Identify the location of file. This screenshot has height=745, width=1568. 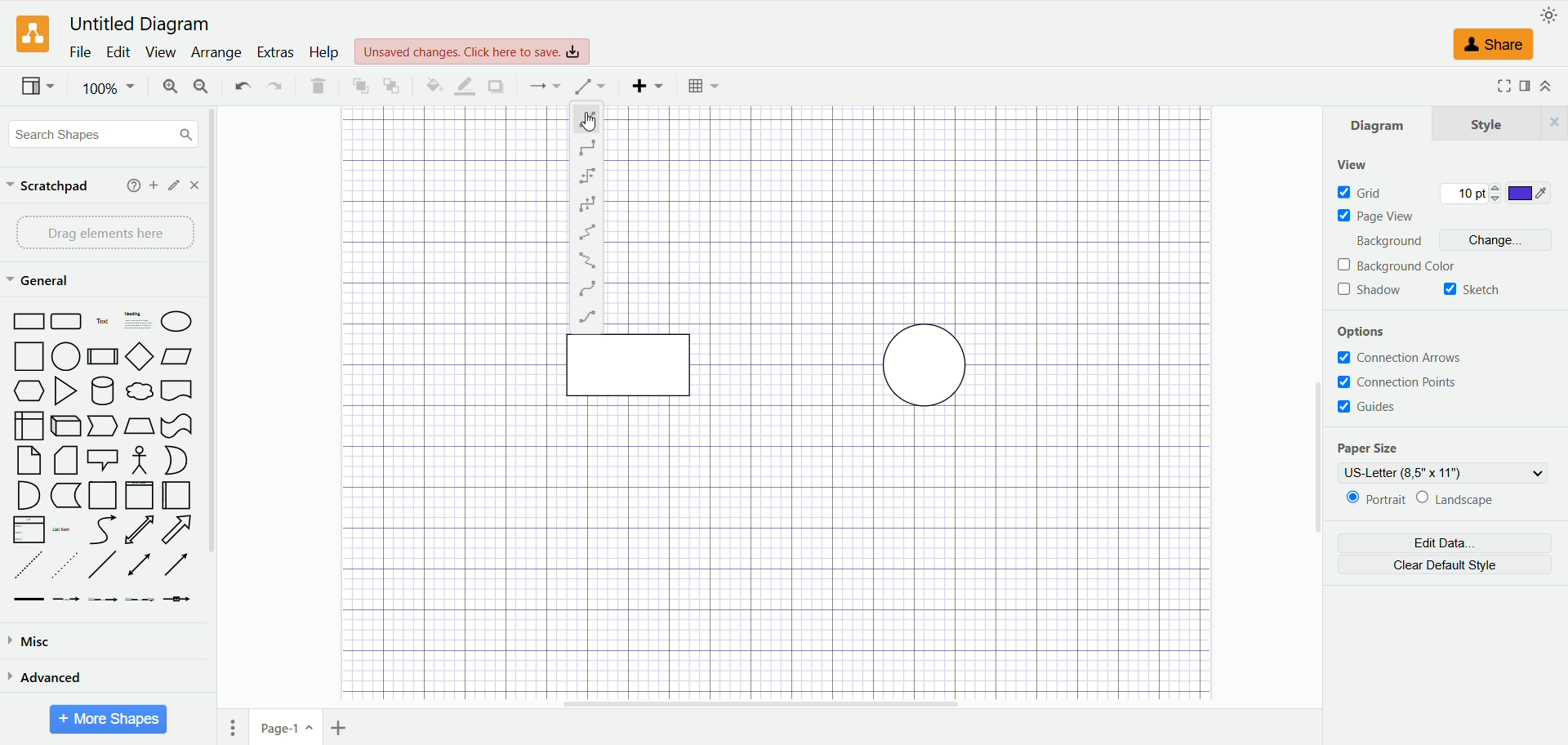
(80, 53).